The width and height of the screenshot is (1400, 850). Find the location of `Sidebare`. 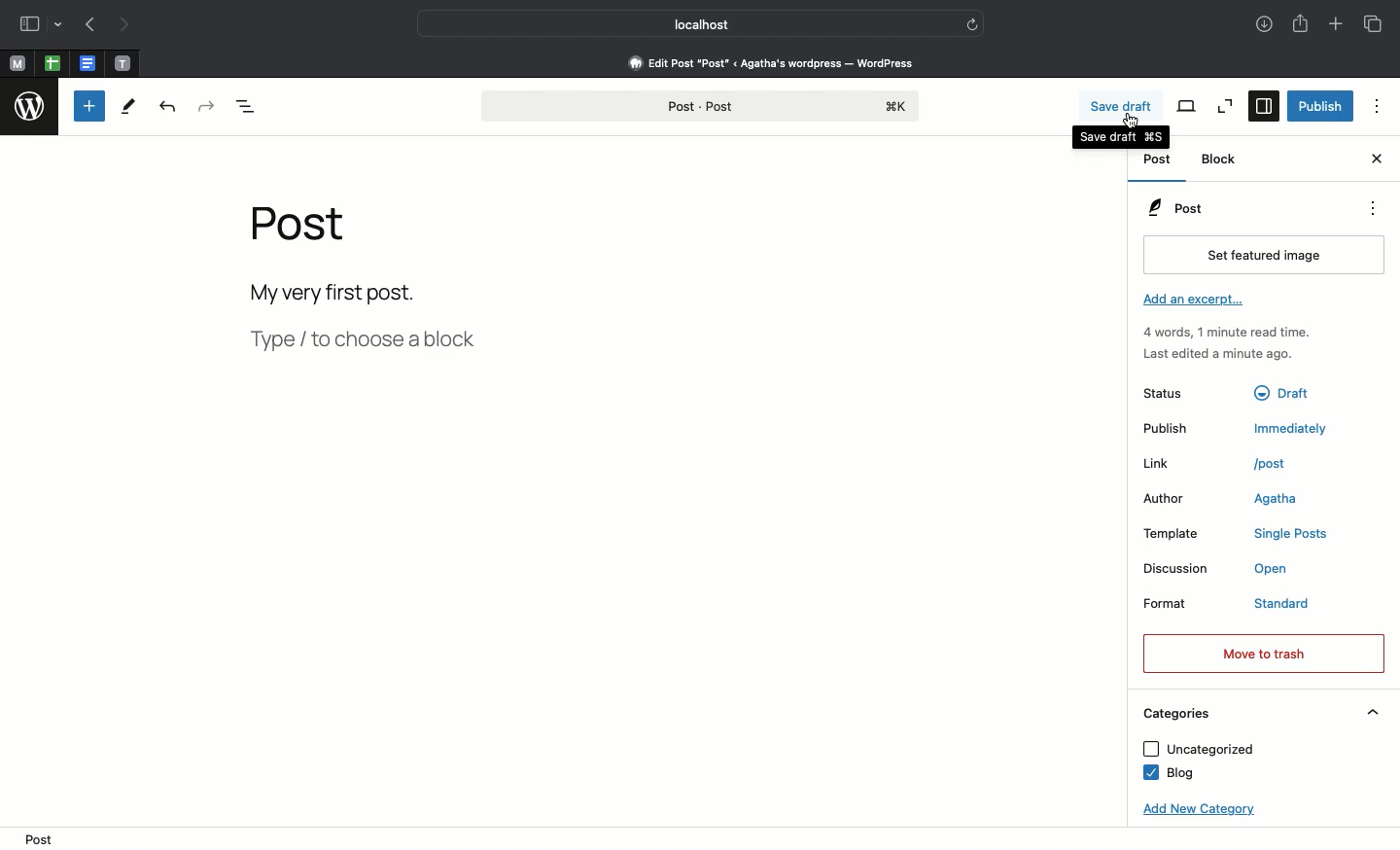

Sidebare is located at coordinates (30, 26).